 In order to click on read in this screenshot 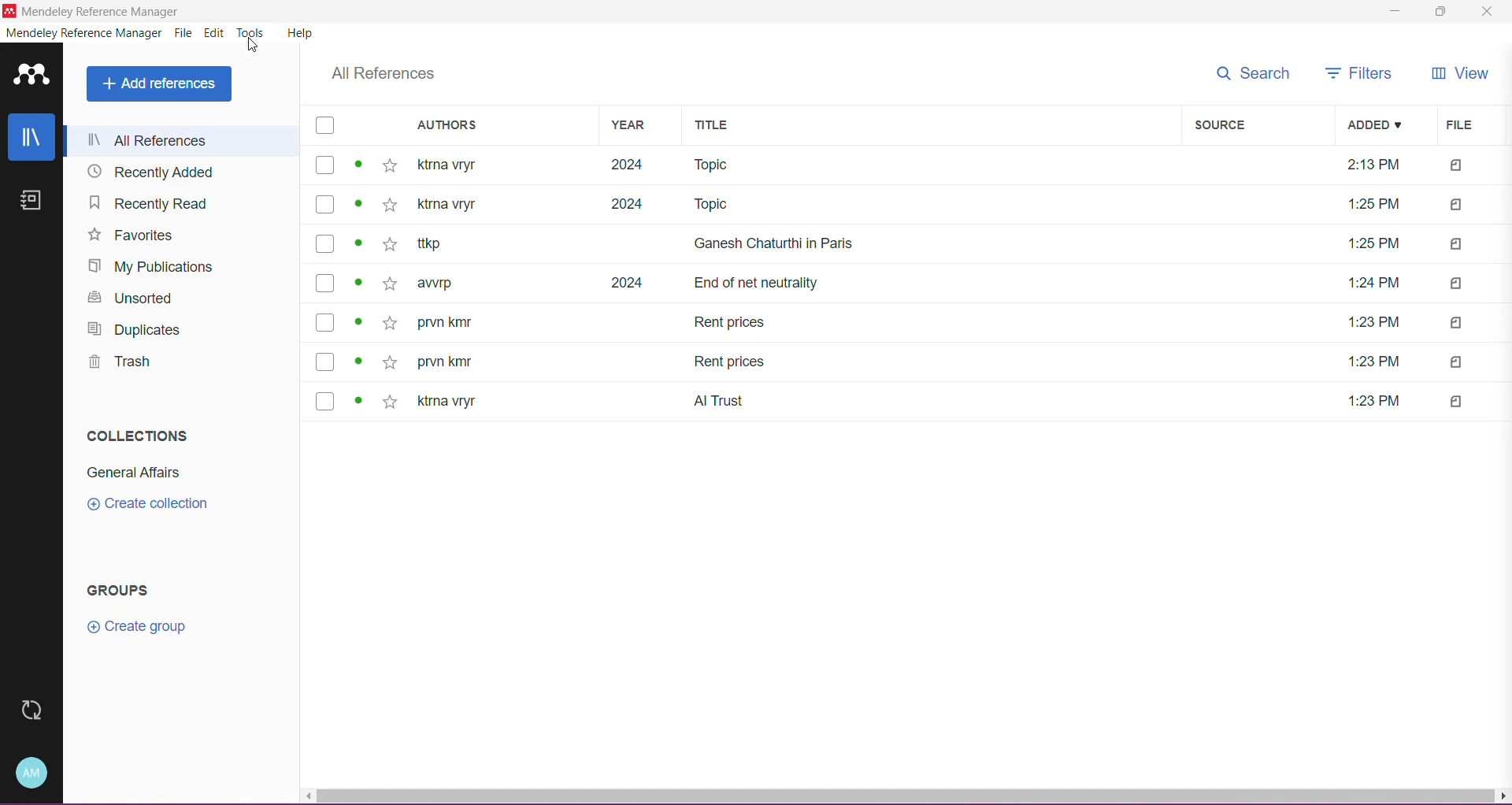, I will do `click(361, 399)`.